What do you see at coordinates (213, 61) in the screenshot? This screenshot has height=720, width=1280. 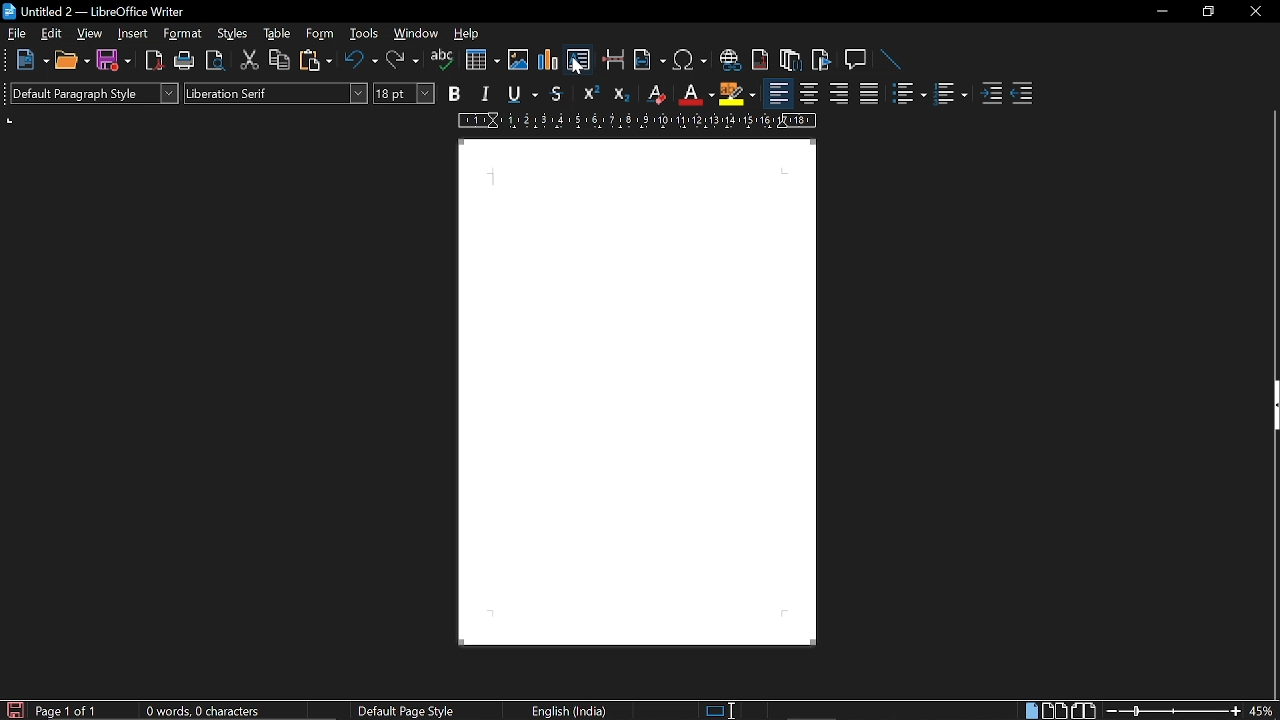 I see `toggle print preview` at bounding box center [213, 61].